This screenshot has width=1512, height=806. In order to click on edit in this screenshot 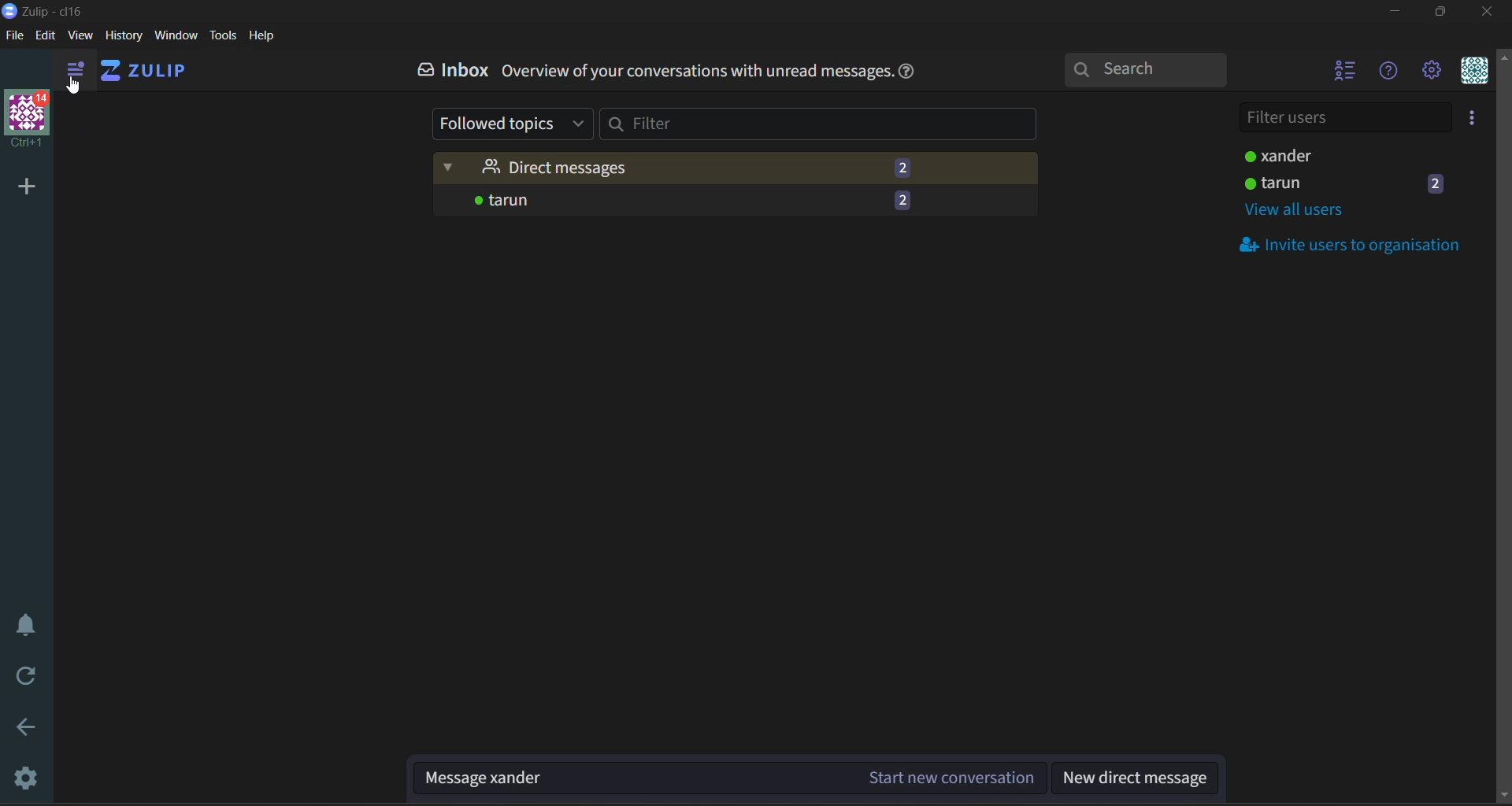, I will do `click(46, 36)`.